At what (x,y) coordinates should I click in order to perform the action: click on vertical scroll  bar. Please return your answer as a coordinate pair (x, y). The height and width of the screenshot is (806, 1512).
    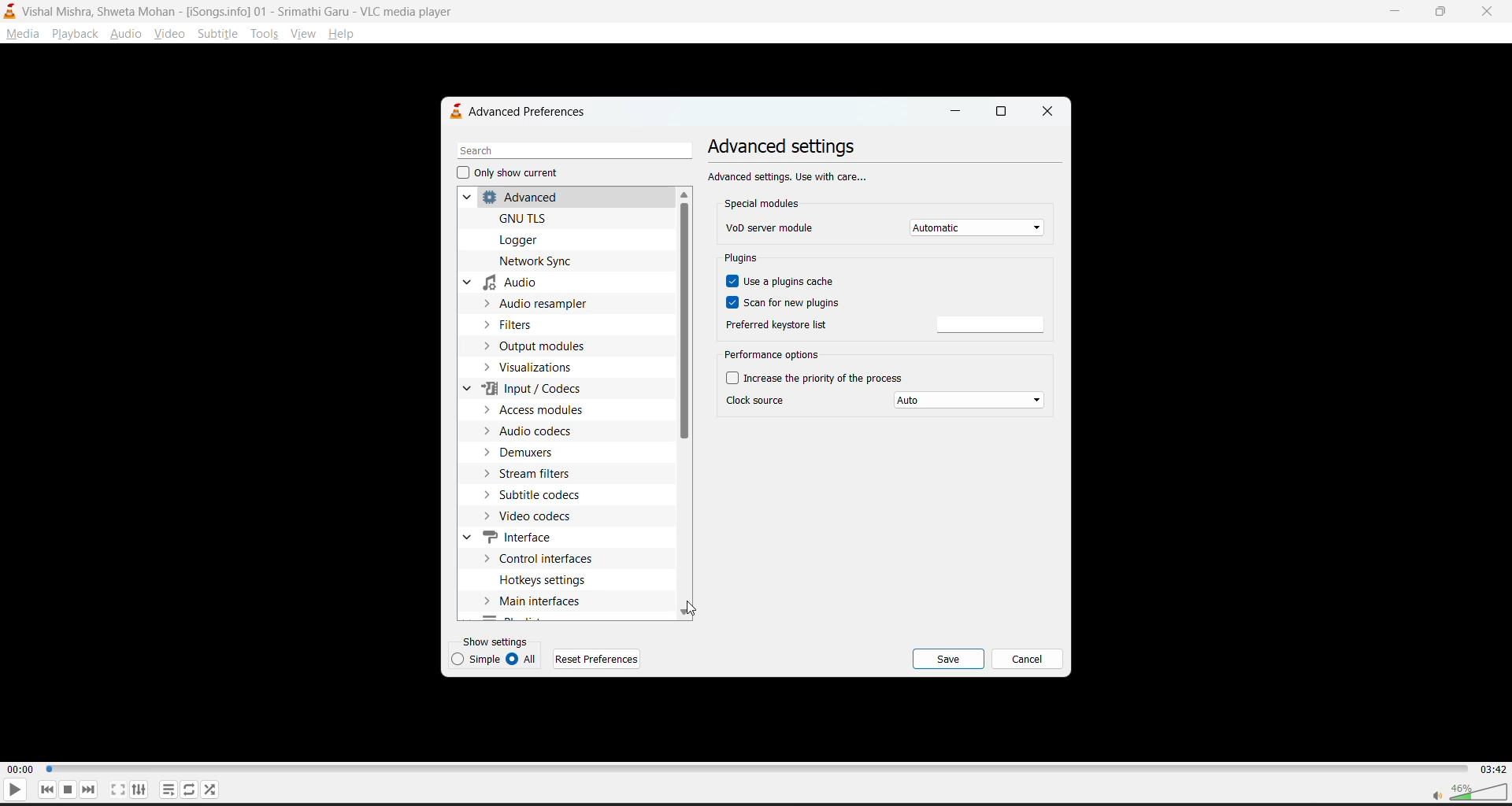
    Looking at the image, I should click on (682, 321).